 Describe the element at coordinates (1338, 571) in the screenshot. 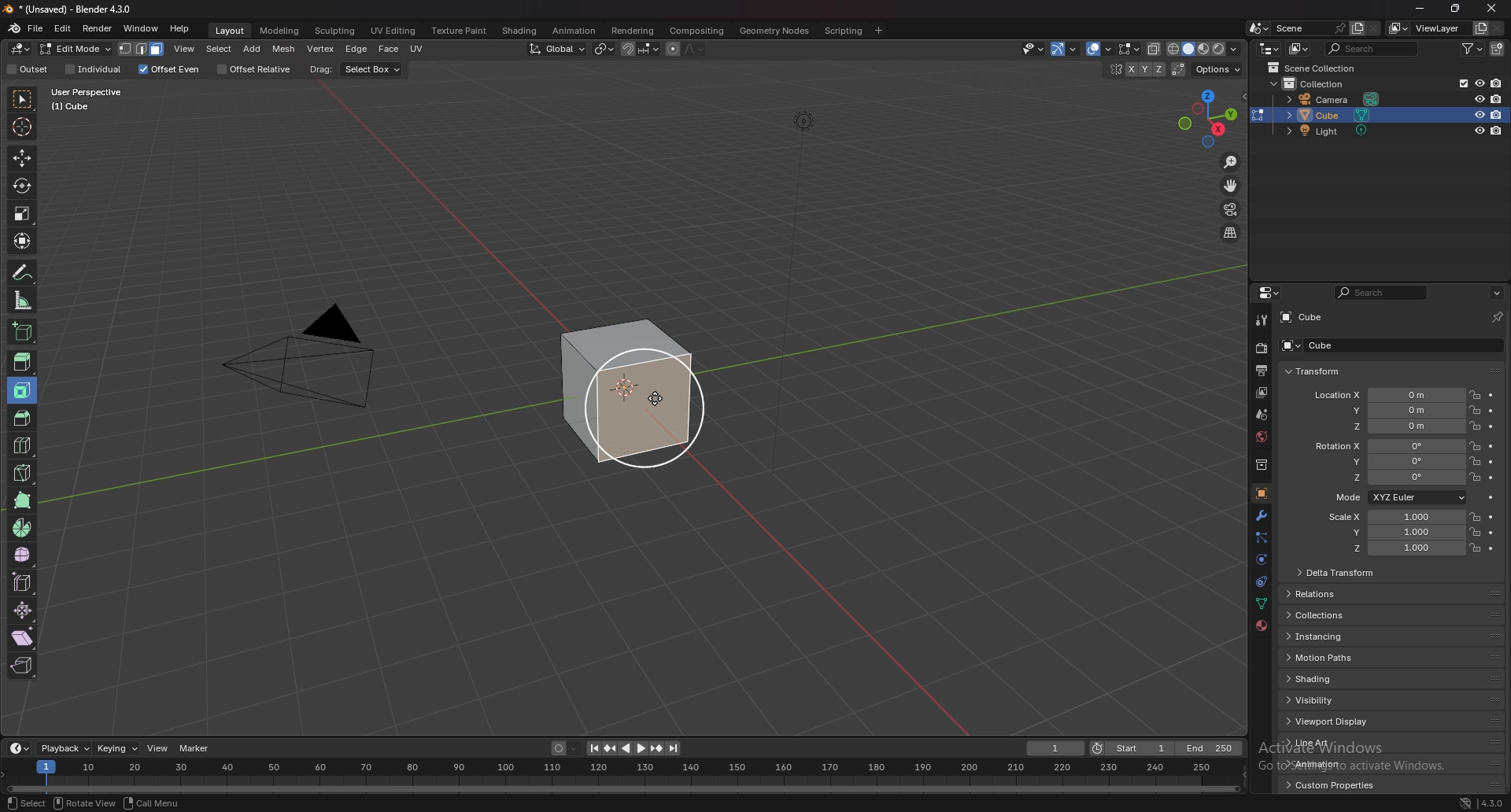

I see `delta transform` at that location.